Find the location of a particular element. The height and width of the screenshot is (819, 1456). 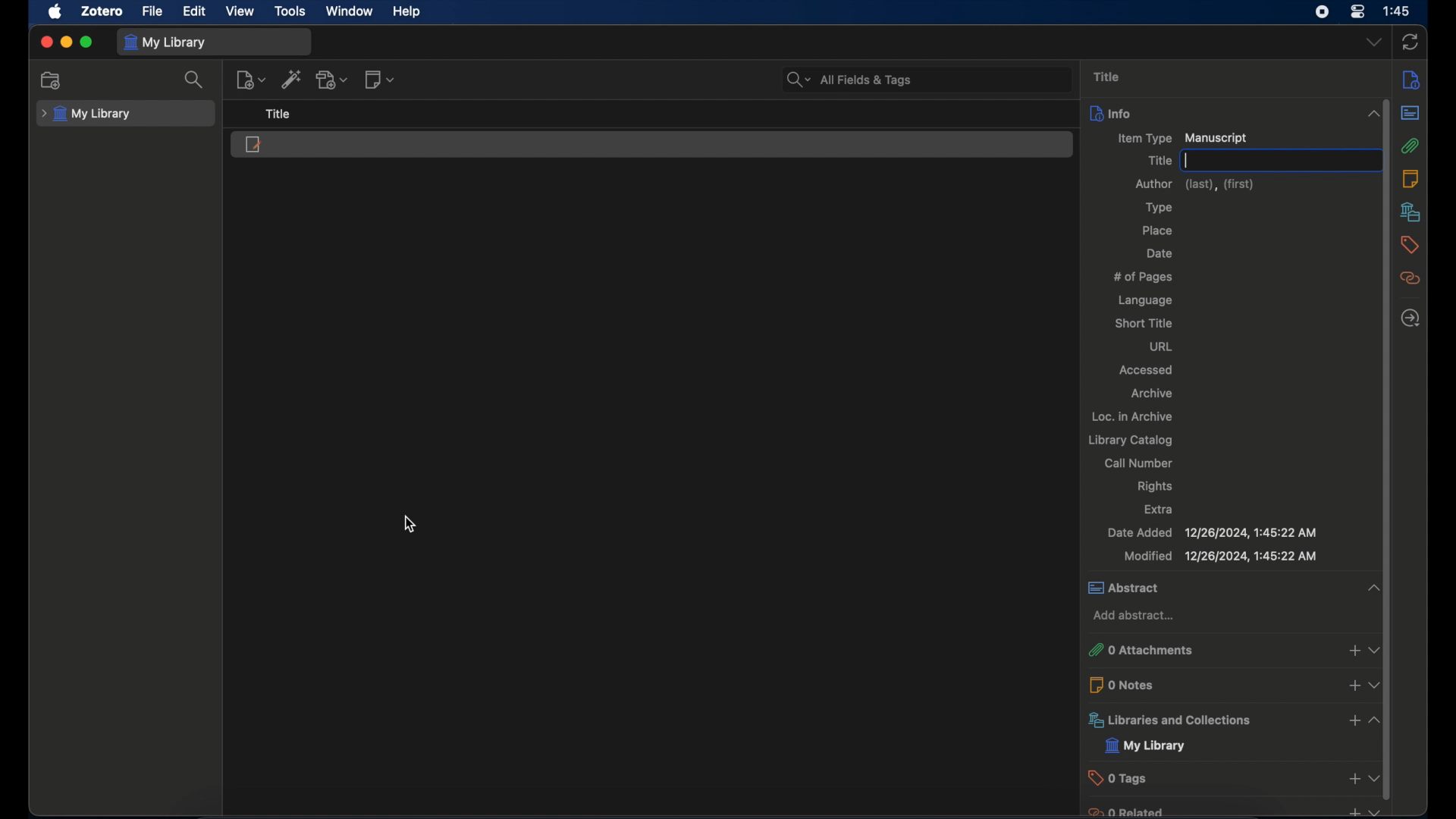

title is located at coordinates (1159, 161).